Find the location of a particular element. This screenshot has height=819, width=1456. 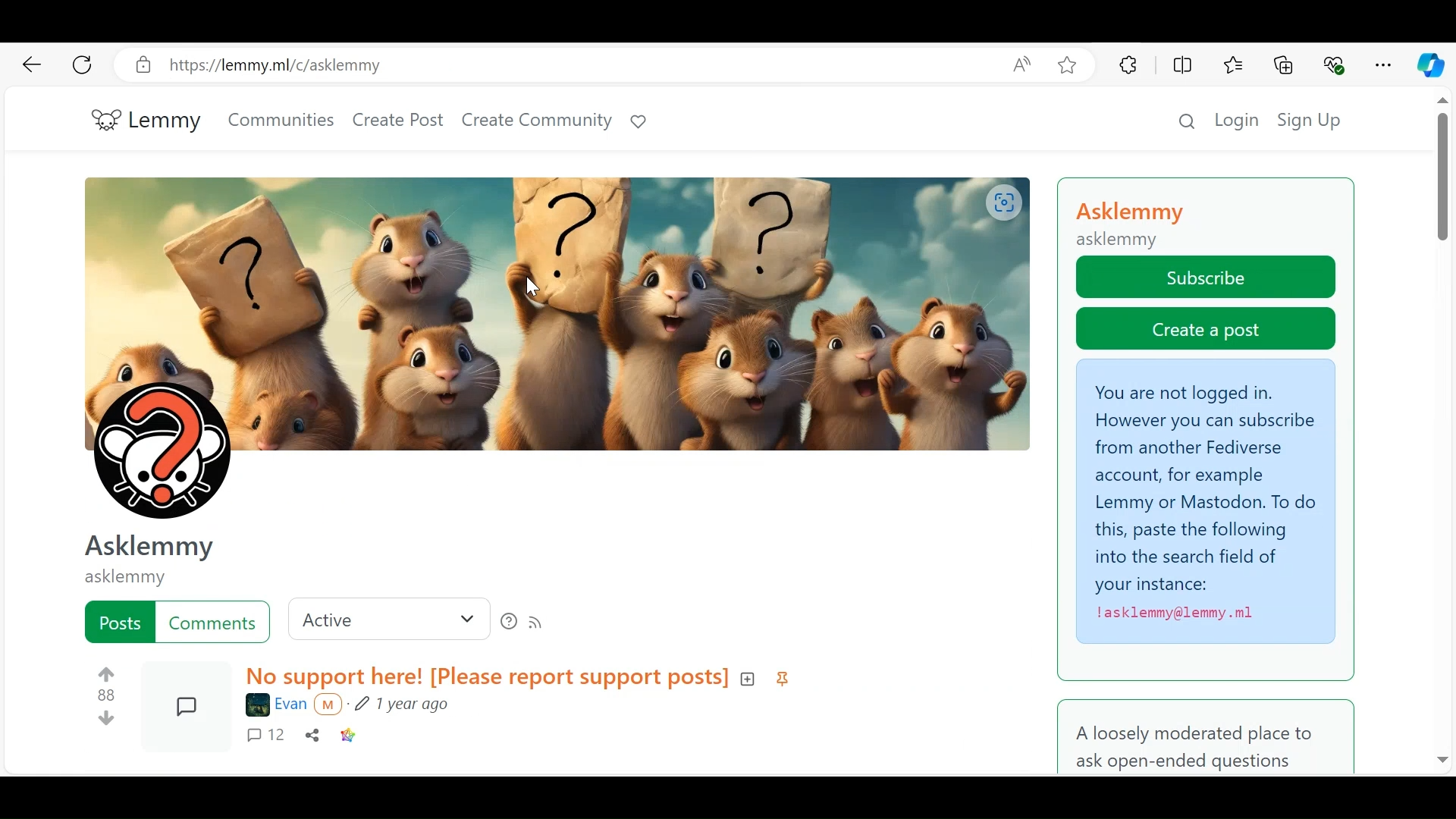

Favorites is located at coordinates (1235, 67).